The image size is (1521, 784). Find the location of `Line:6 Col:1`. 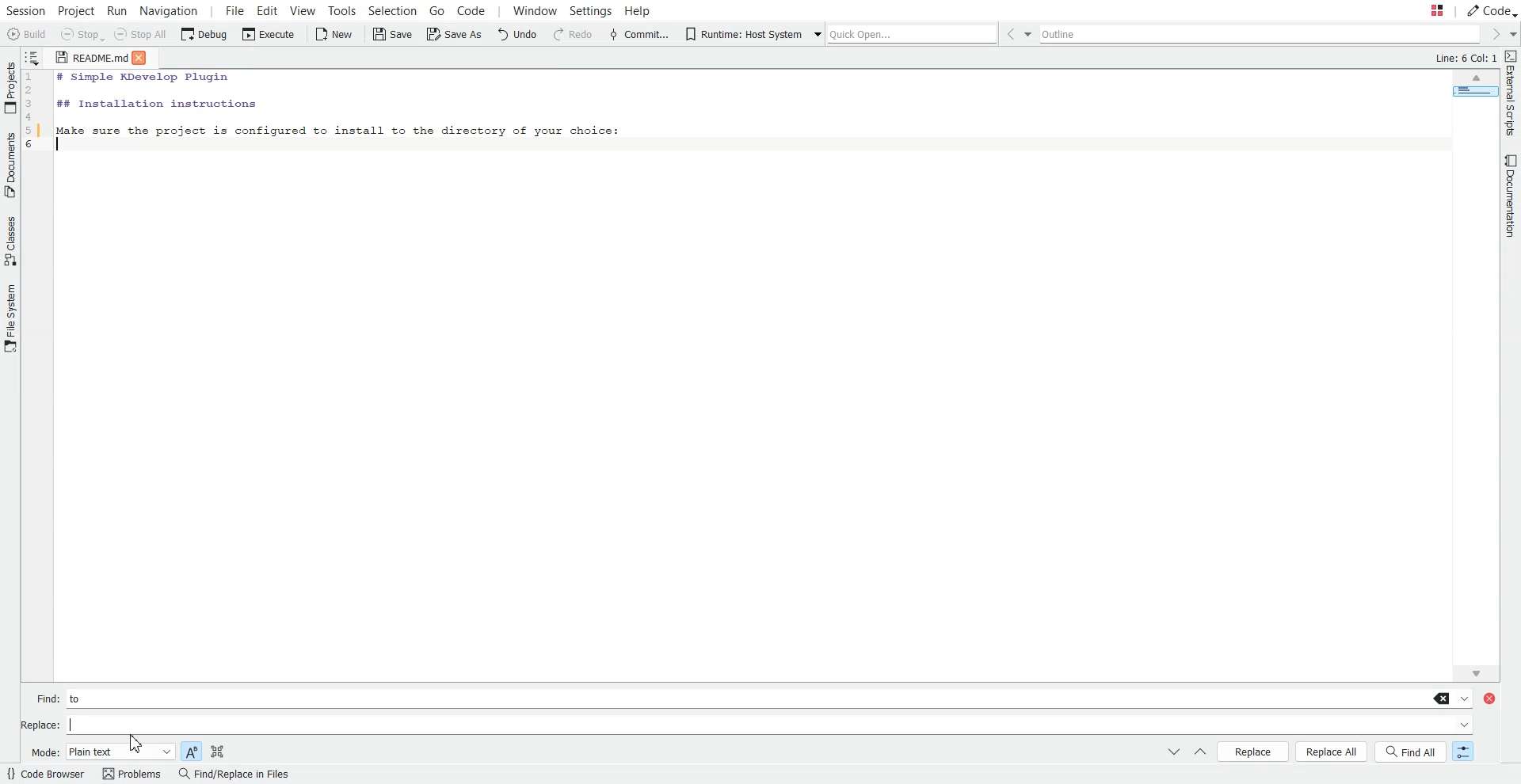

Line:6 Col:1 is located at coordinates (1463, 59).